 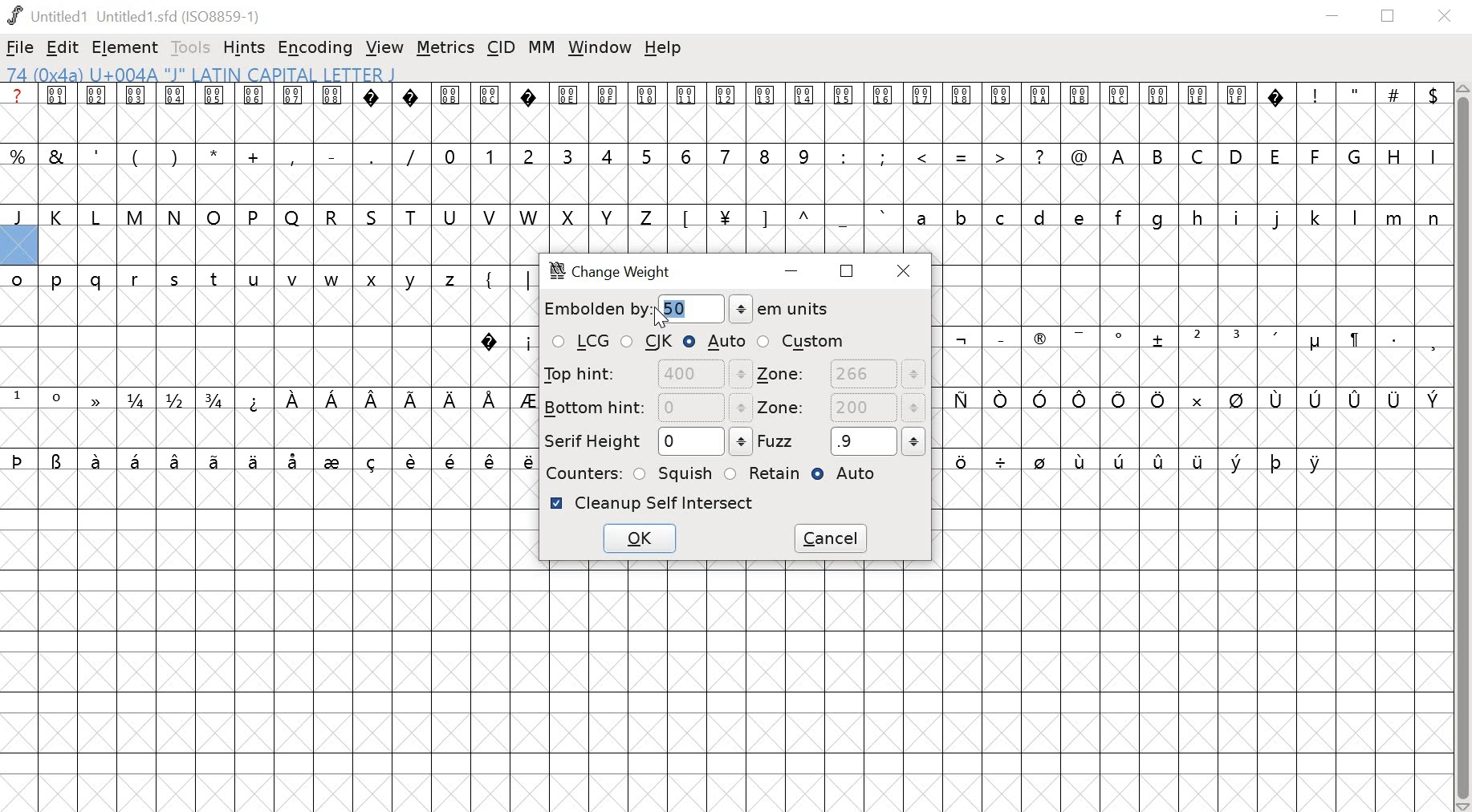 I want to click on change weight, so click(x=620, y=273).